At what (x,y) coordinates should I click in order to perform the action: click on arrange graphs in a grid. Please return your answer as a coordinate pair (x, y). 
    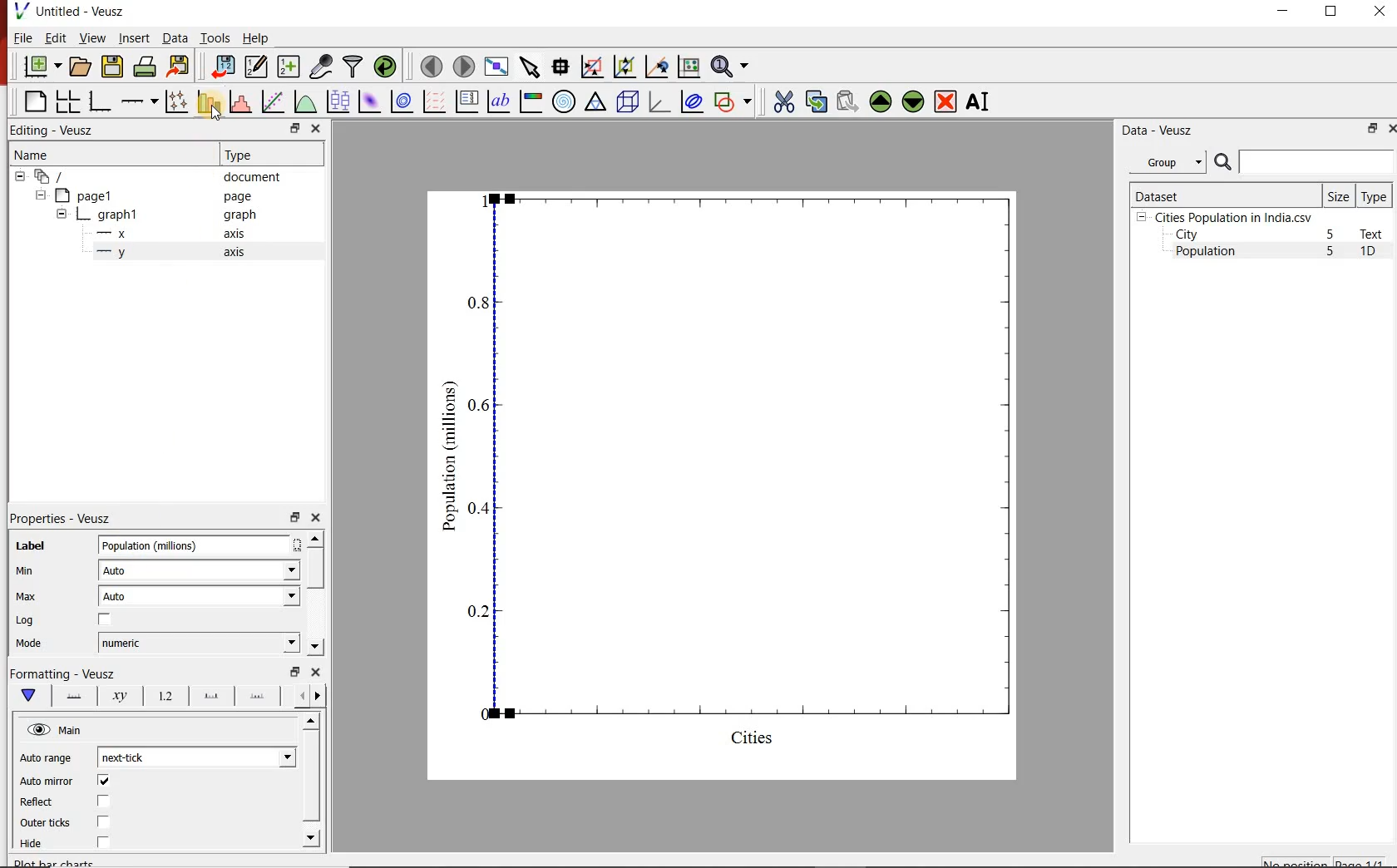
    Looking at the image, I should click on (67, 101).